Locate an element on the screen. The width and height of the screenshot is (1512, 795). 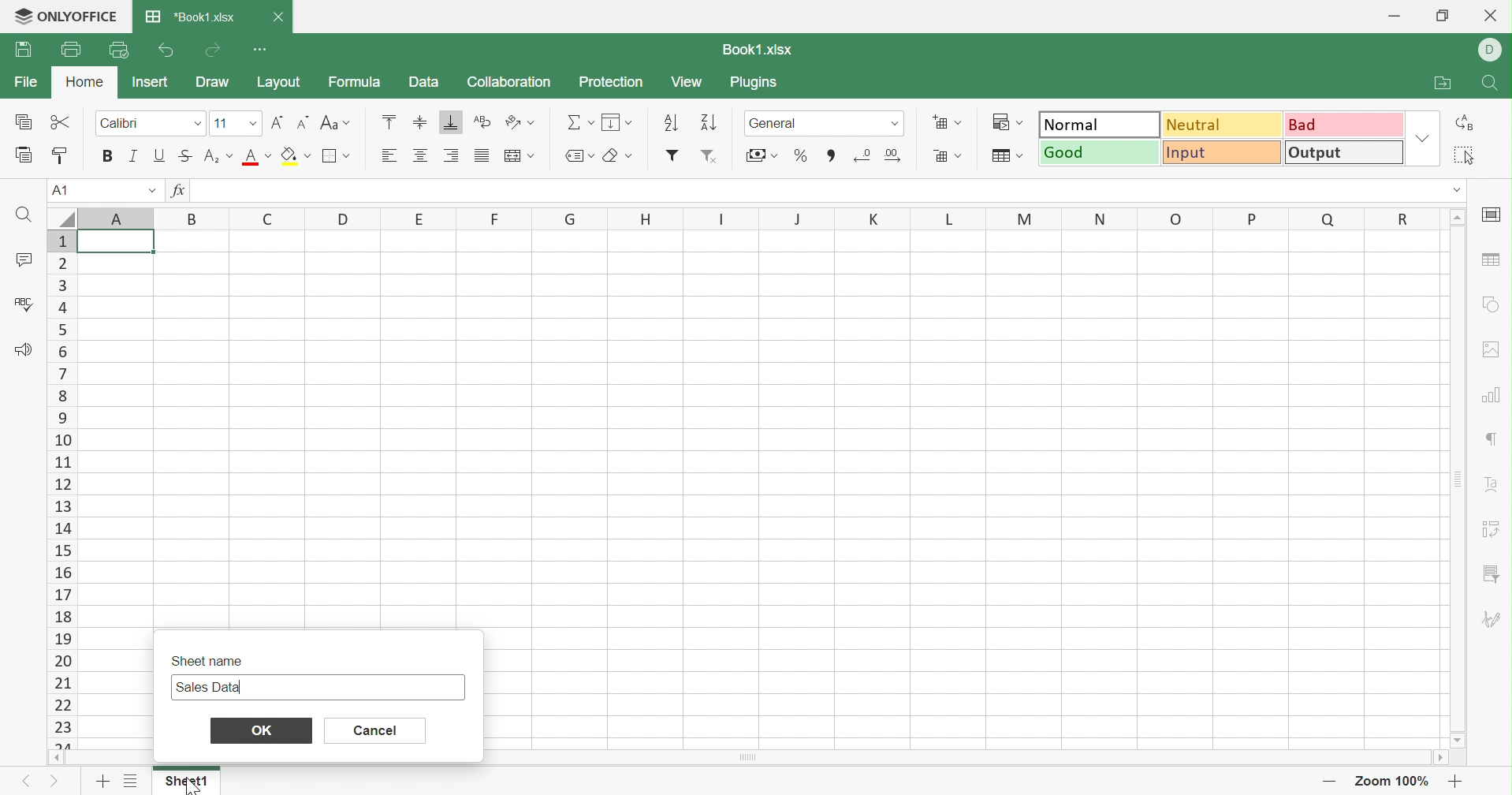
Collaboration is located at coordinates (508, 82).